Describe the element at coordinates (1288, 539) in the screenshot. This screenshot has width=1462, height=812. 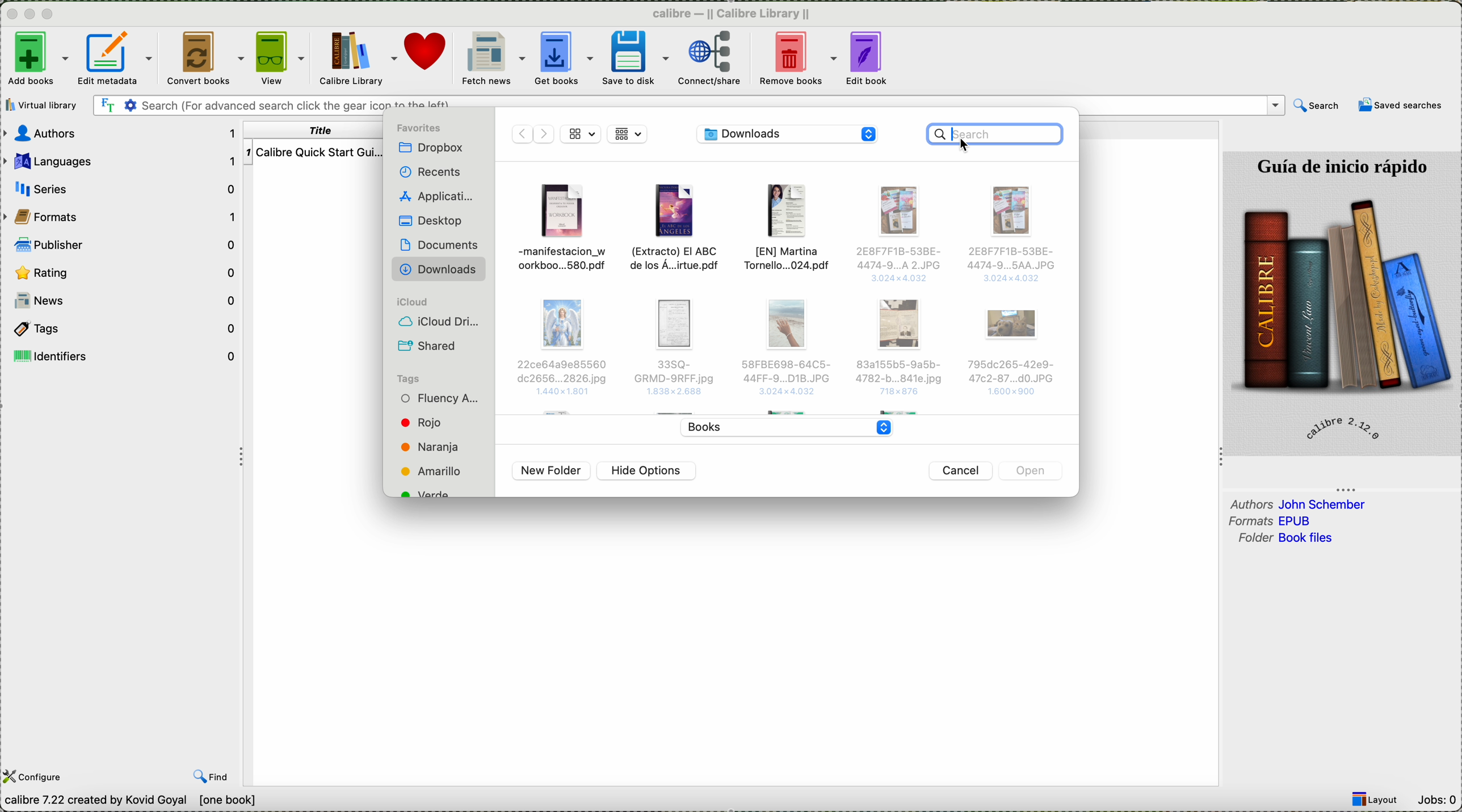
I see `folder` at that location.